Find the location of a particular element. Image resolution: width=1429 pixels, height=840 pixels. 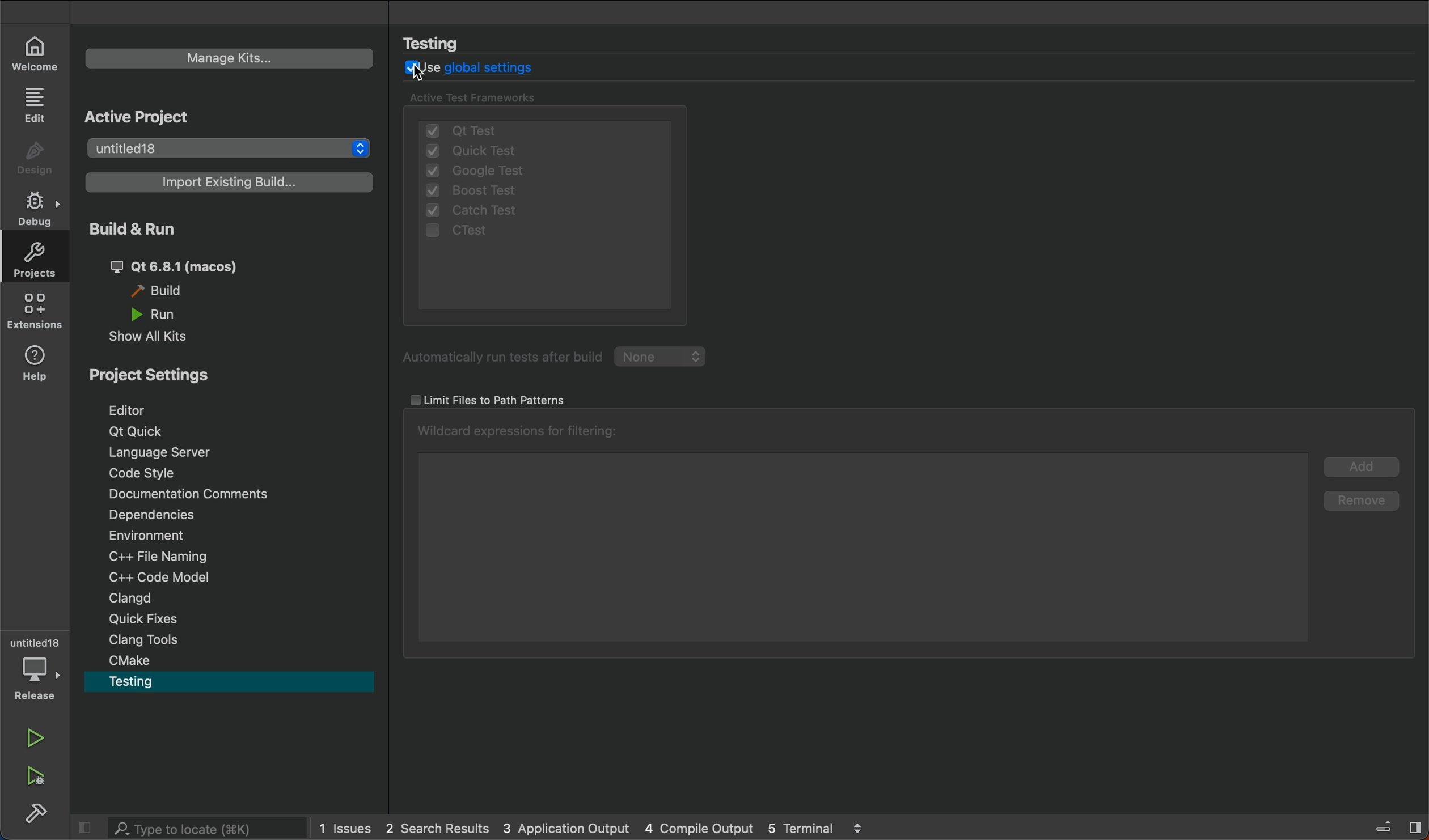

active project is located at coordinates (147, 118).